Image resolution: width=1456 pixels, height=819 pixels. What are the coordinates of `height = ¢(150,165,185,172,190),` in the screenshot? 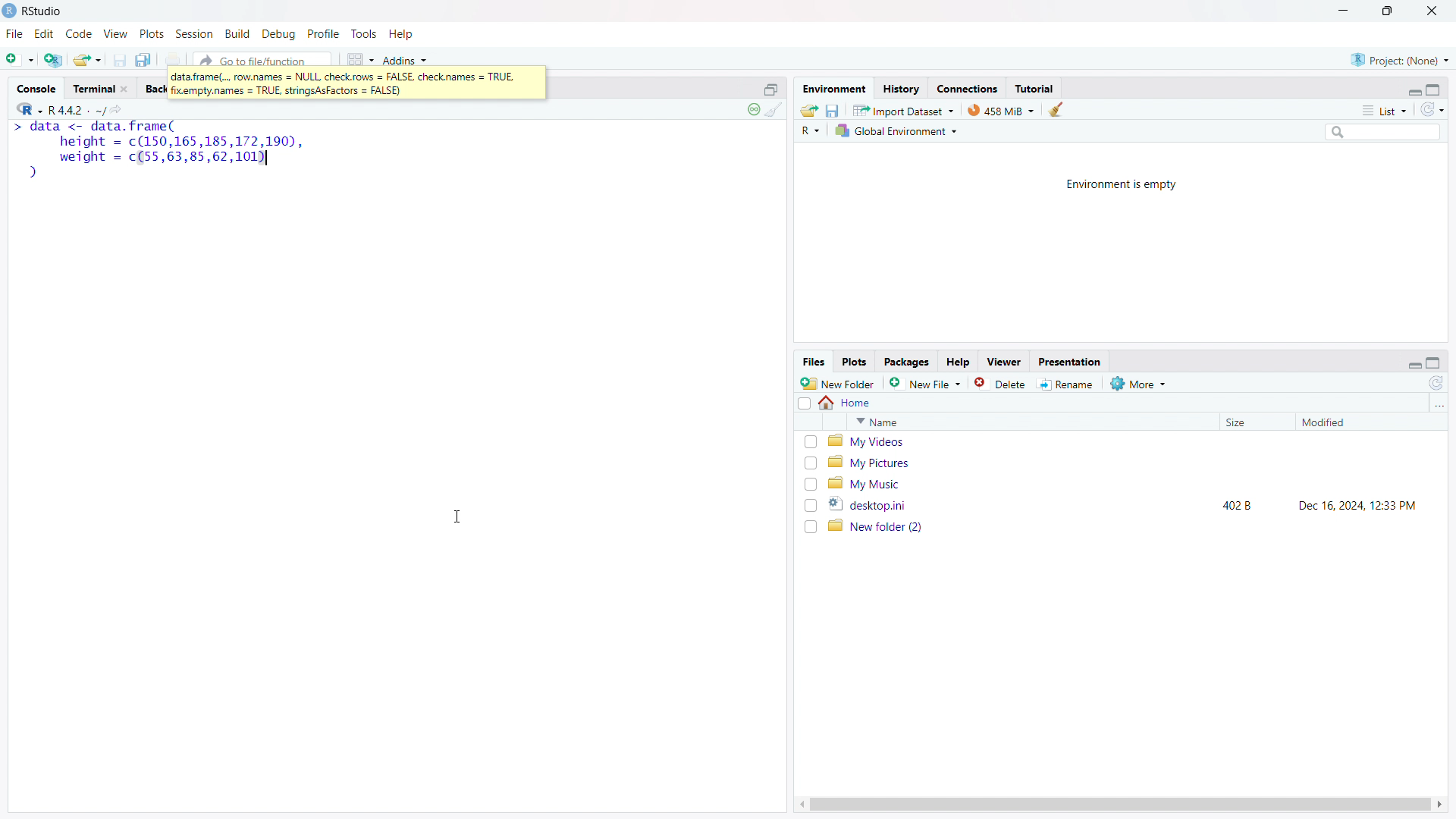 It's located at (178, 142).